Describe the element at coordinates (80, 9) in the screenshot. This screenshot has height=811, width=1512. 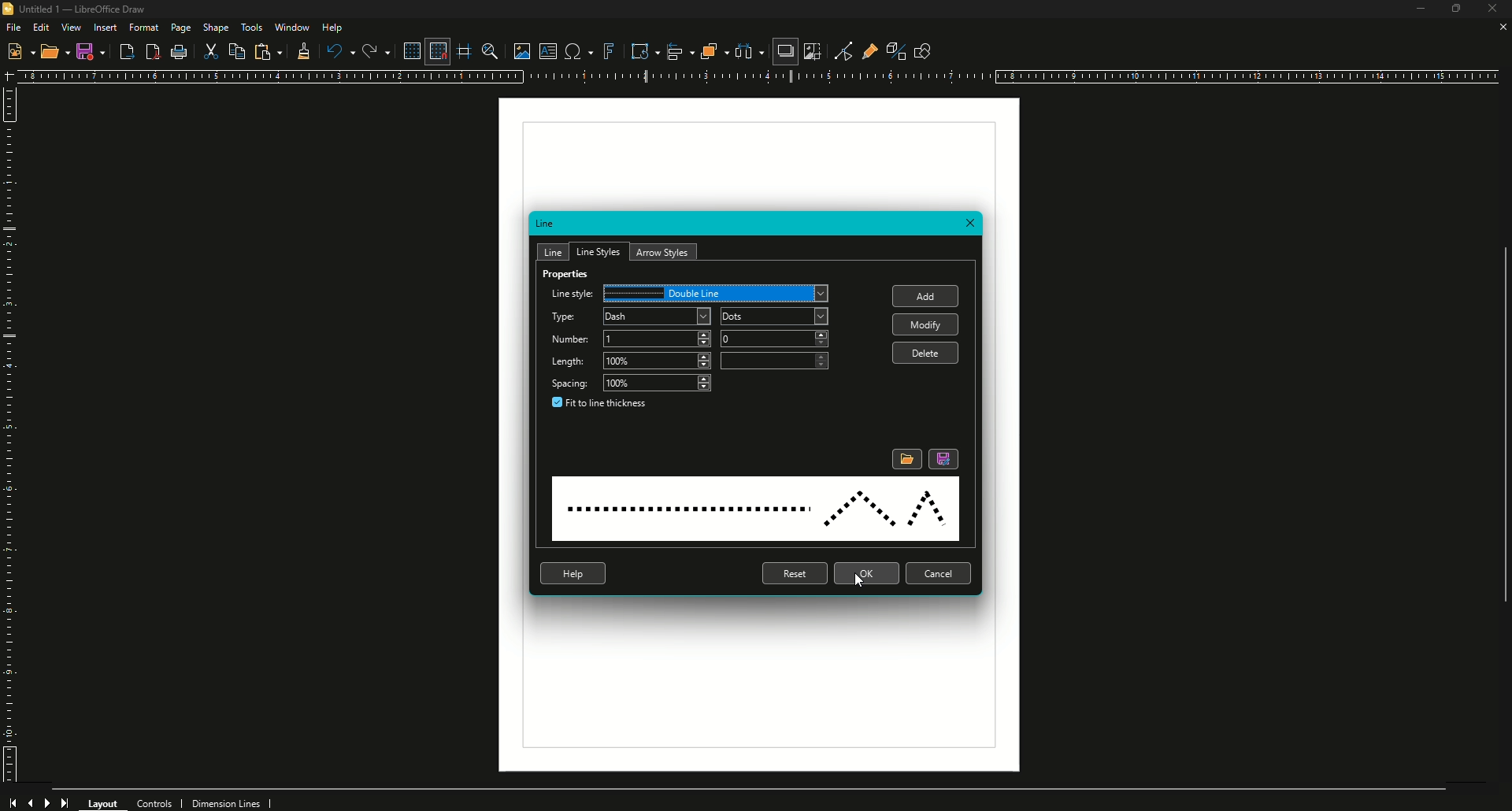
I see `Untitled 1 - LibreOffice Draw` at that location.